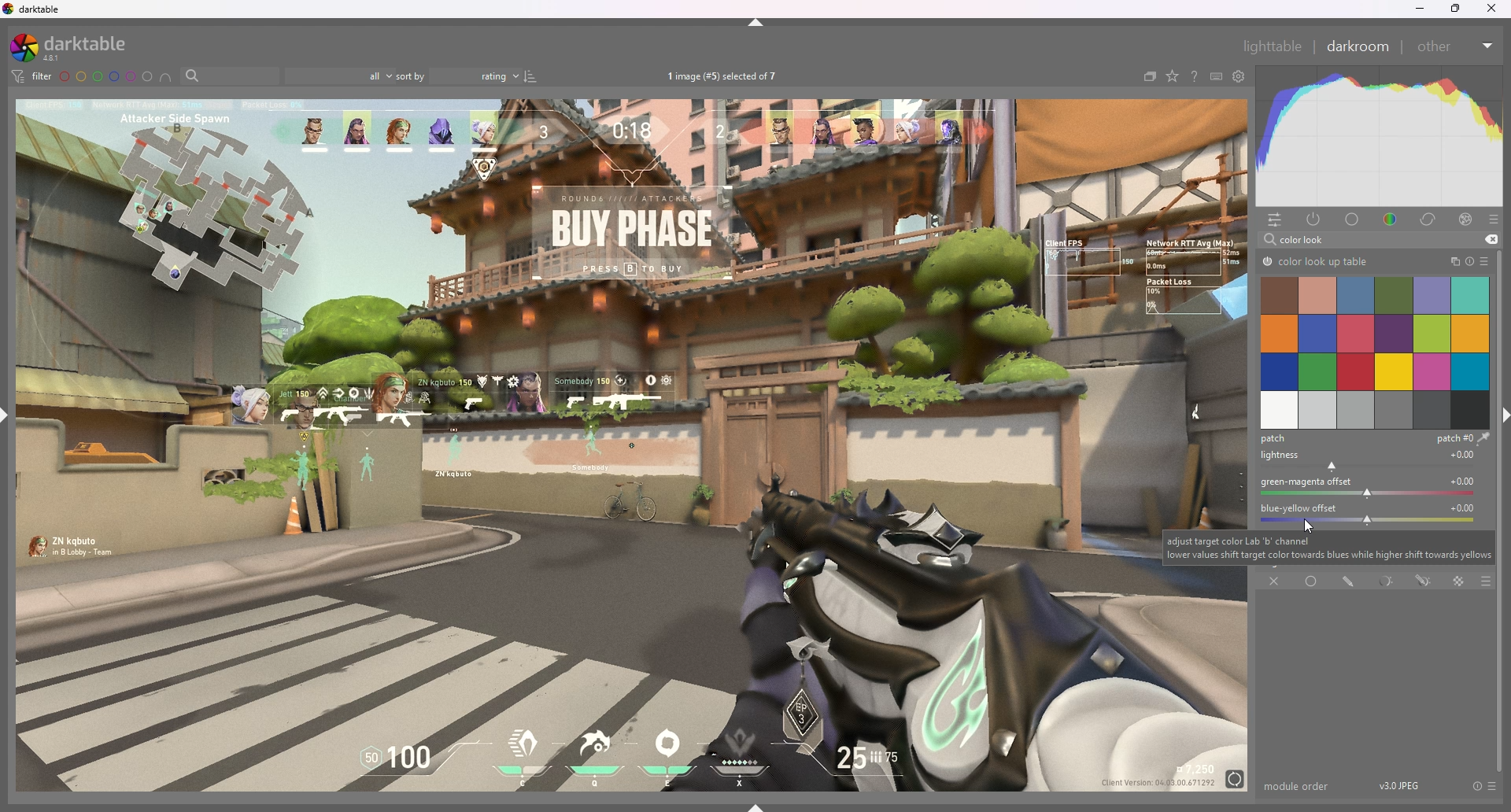 The height and width of the screenshot is (812, 1511). Describe the element at coordinates (1374, 352) in the screenshot. I see `color selection` at that location.